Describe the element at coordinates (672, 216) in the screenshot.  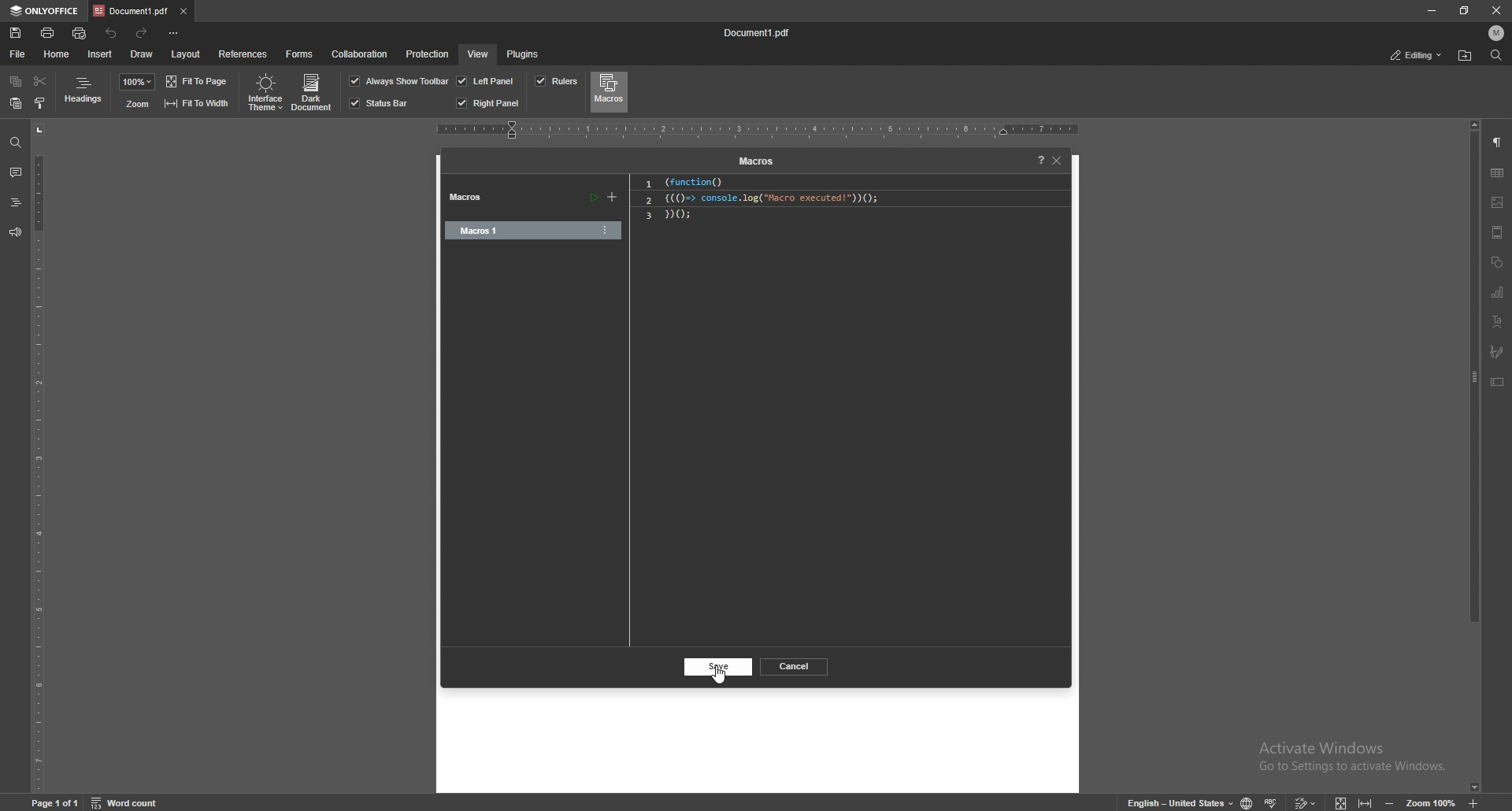
I see `Code` at that location.